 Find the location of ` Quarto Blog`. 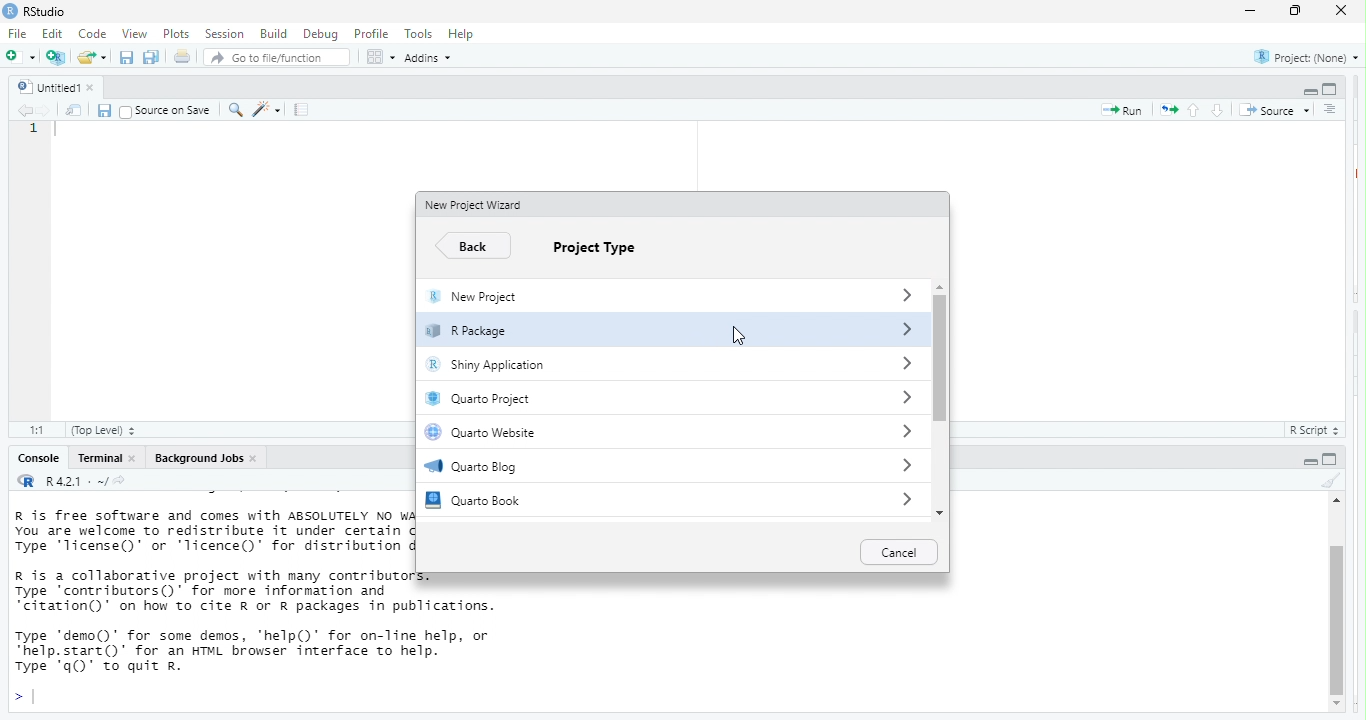

 Quarto Blog is located at coordinates (635, 468).